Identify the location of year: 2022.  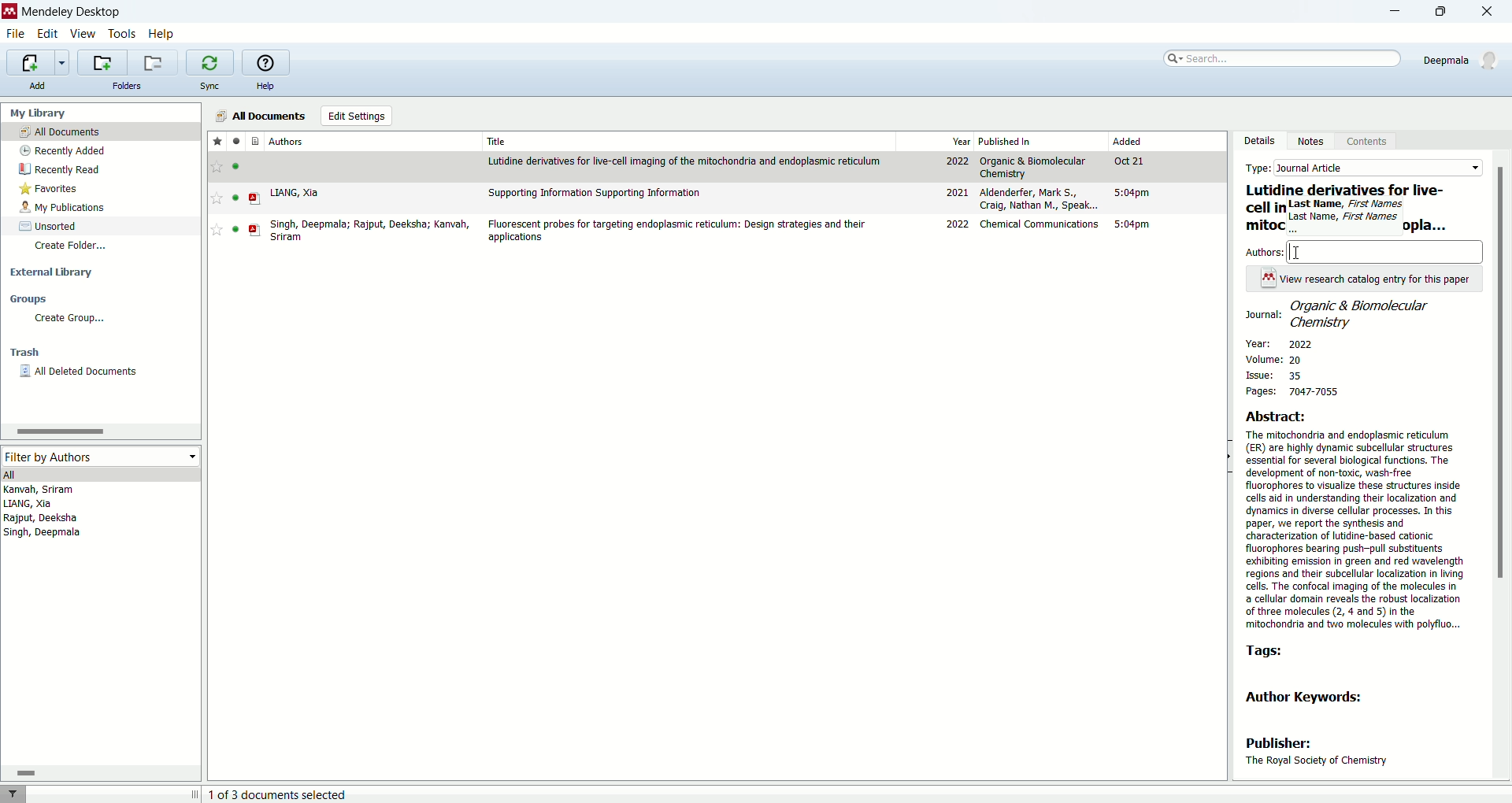
(1279, 342).